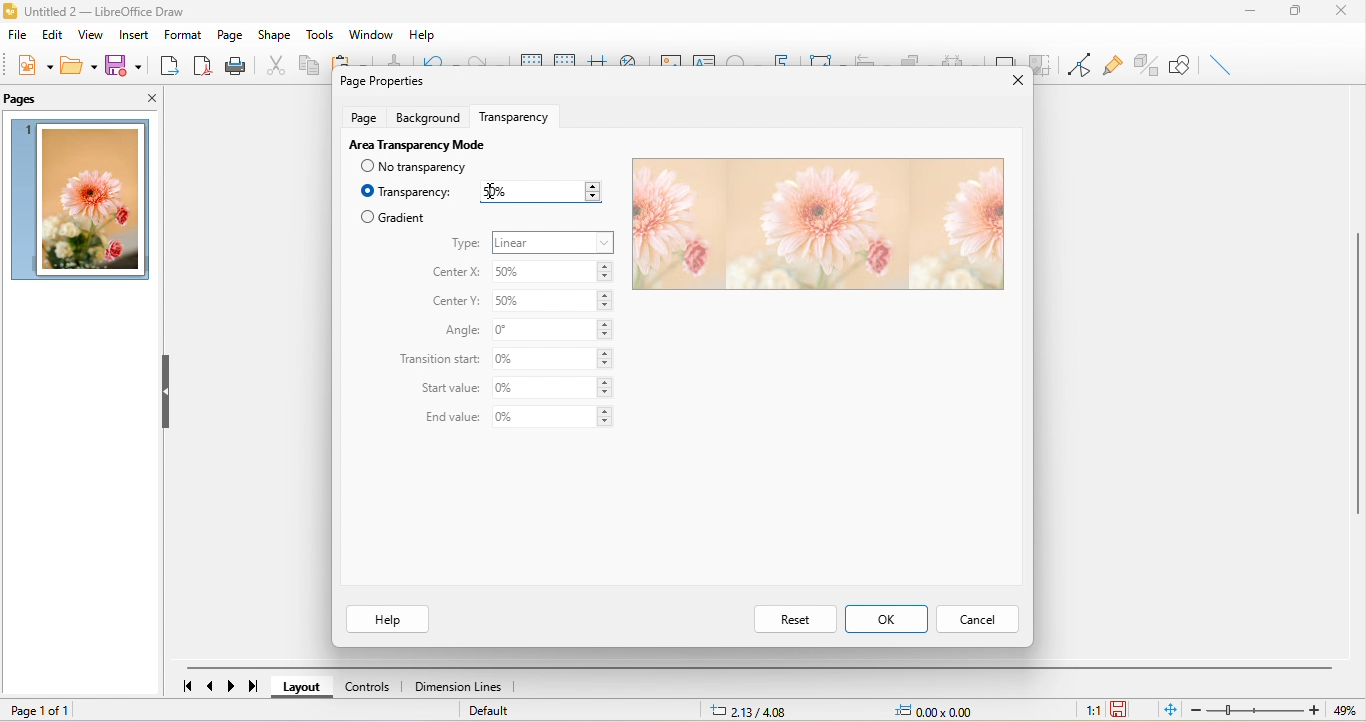 The width and height of the screenshot is (1366, 722). I want to click on new, so click(36, 65).